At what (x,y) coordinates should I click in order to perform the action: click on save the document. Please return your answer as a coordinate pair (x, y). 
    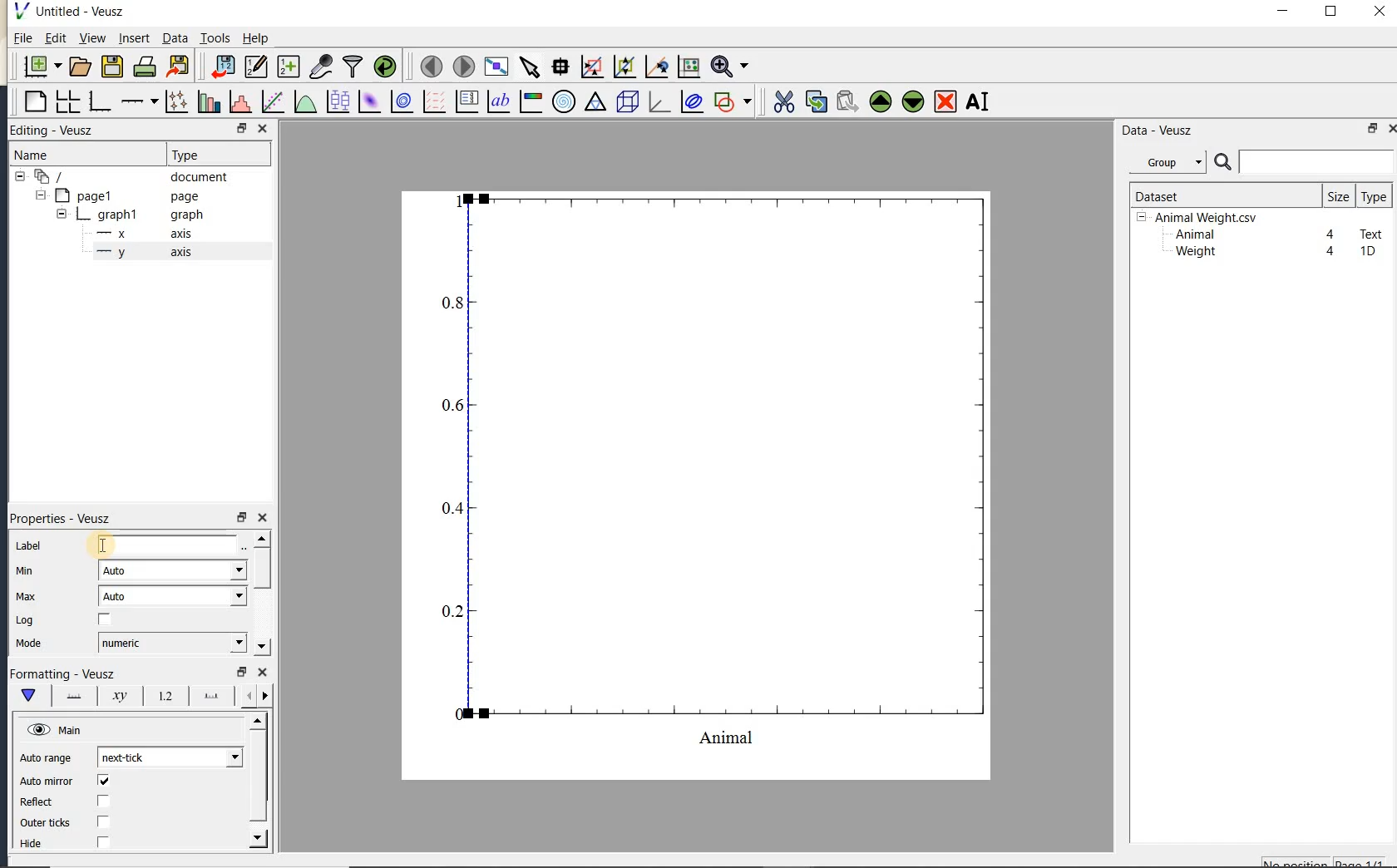
    Looking at the image, I should click on (111, 67).